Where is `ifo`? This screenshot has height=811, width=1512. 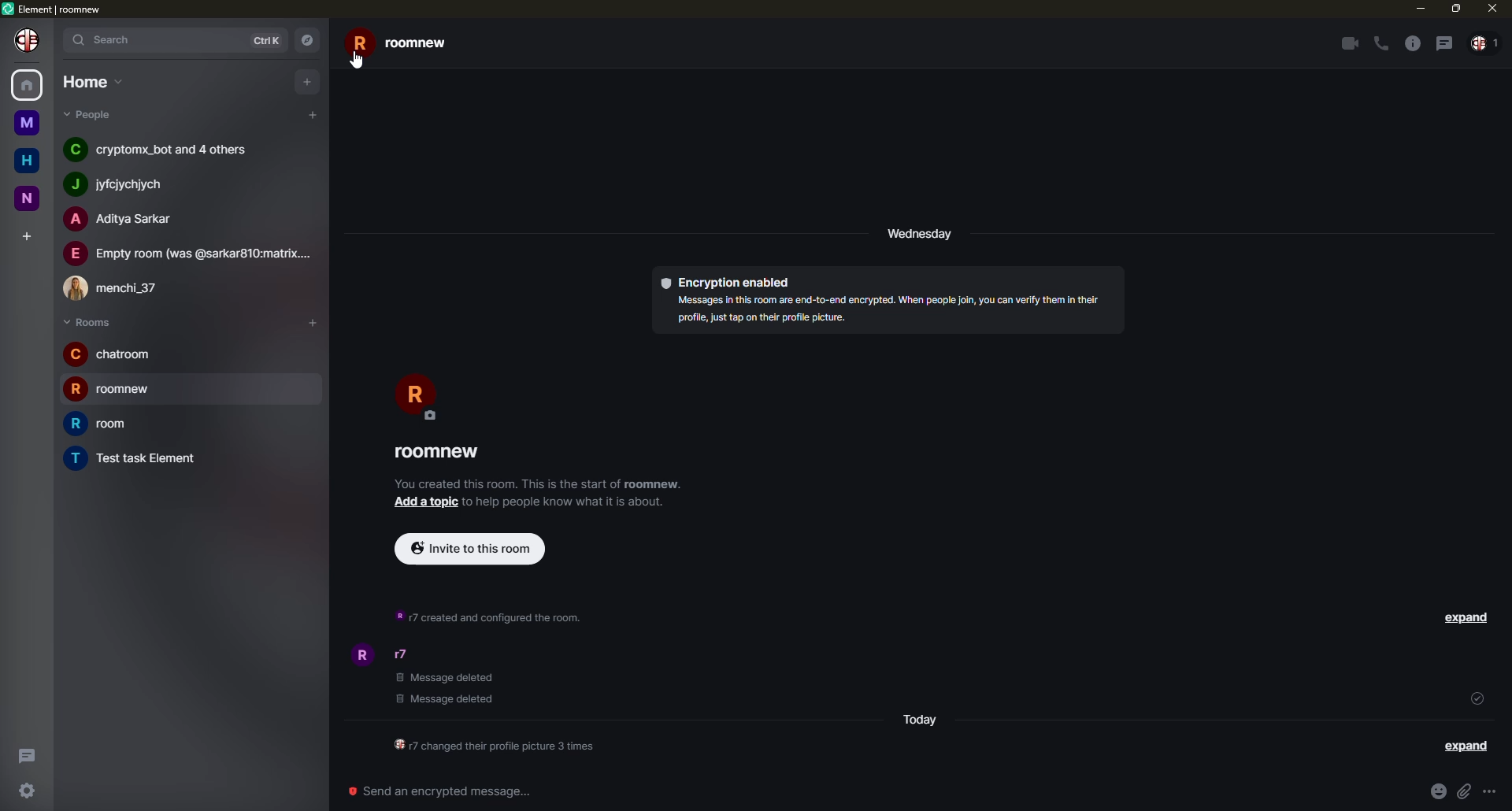 ifo is located at coordinates (570, 502).